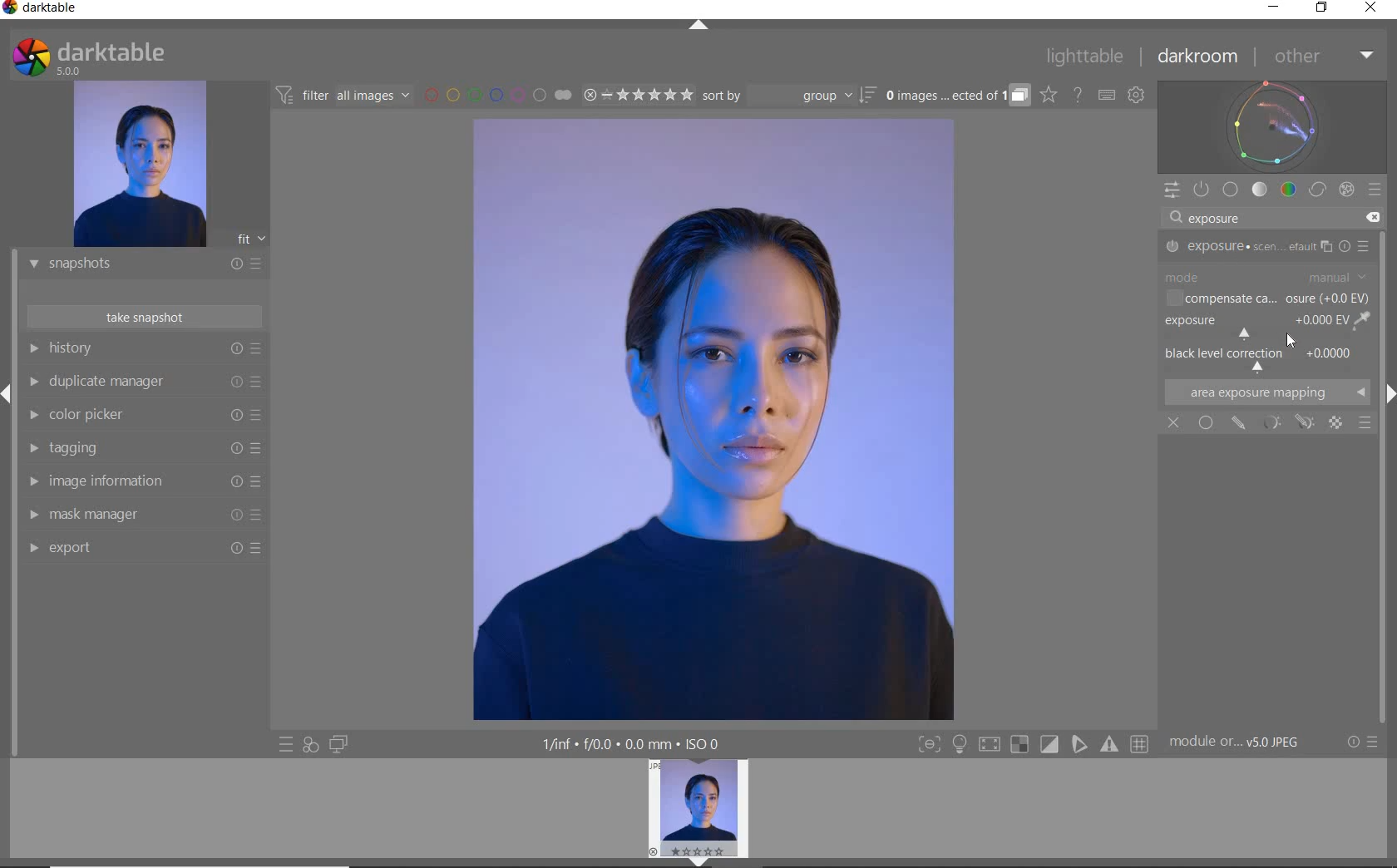 Image resolution: width=1397 pixels, height=868 pixels. Describe the element at coordinates (1231, 190) in the screenshot. I see `BASE` at that location.